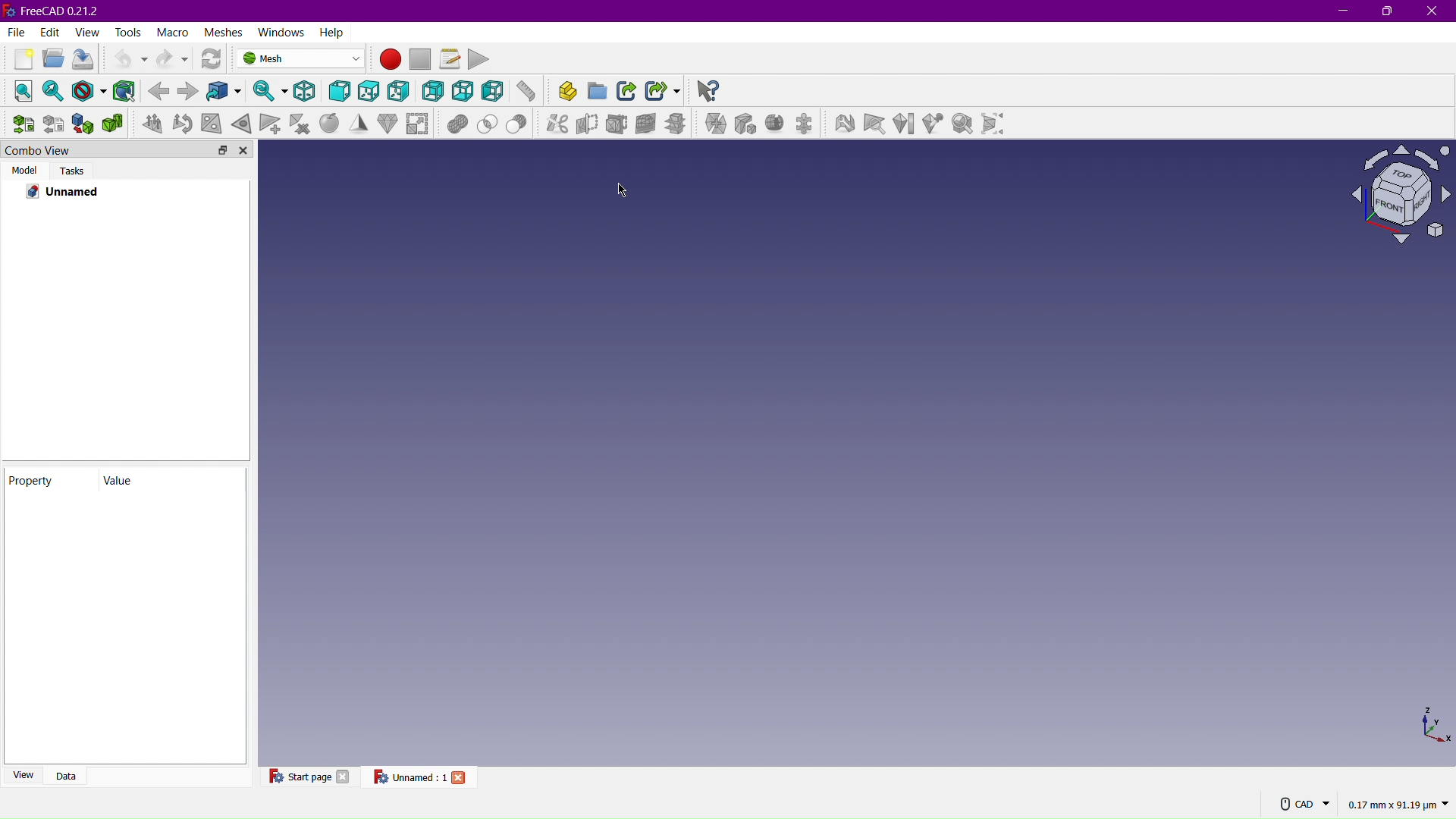 This screenshot has height=819, width=1456. Describe the element at coordinates (168, 482) in the screenshot. I see `Value` at that location.